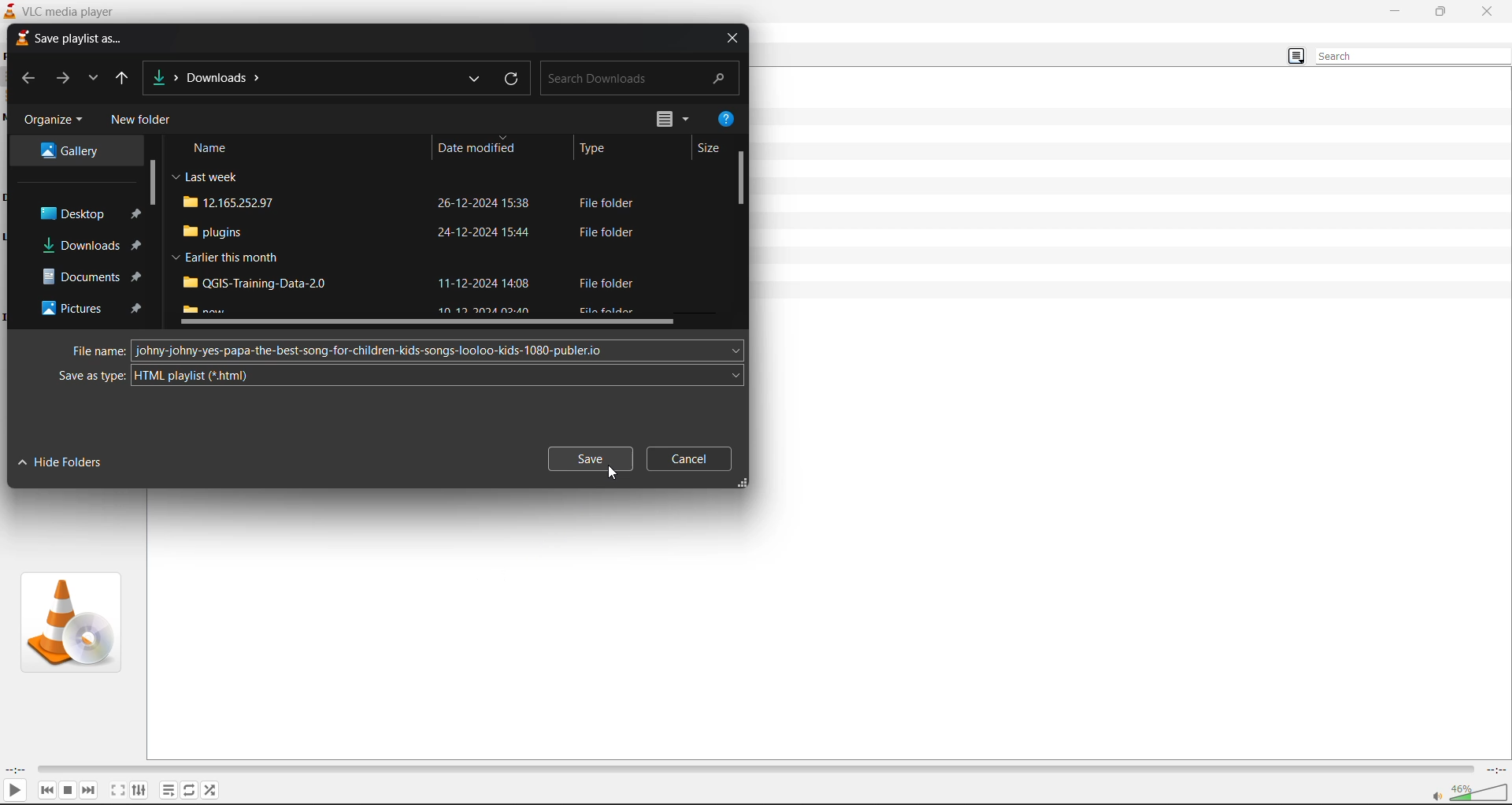 This screenshot has height=805, width=1512. Describe the element at coordinates (1490, 11) in the screenshot. I see `close` at that location.